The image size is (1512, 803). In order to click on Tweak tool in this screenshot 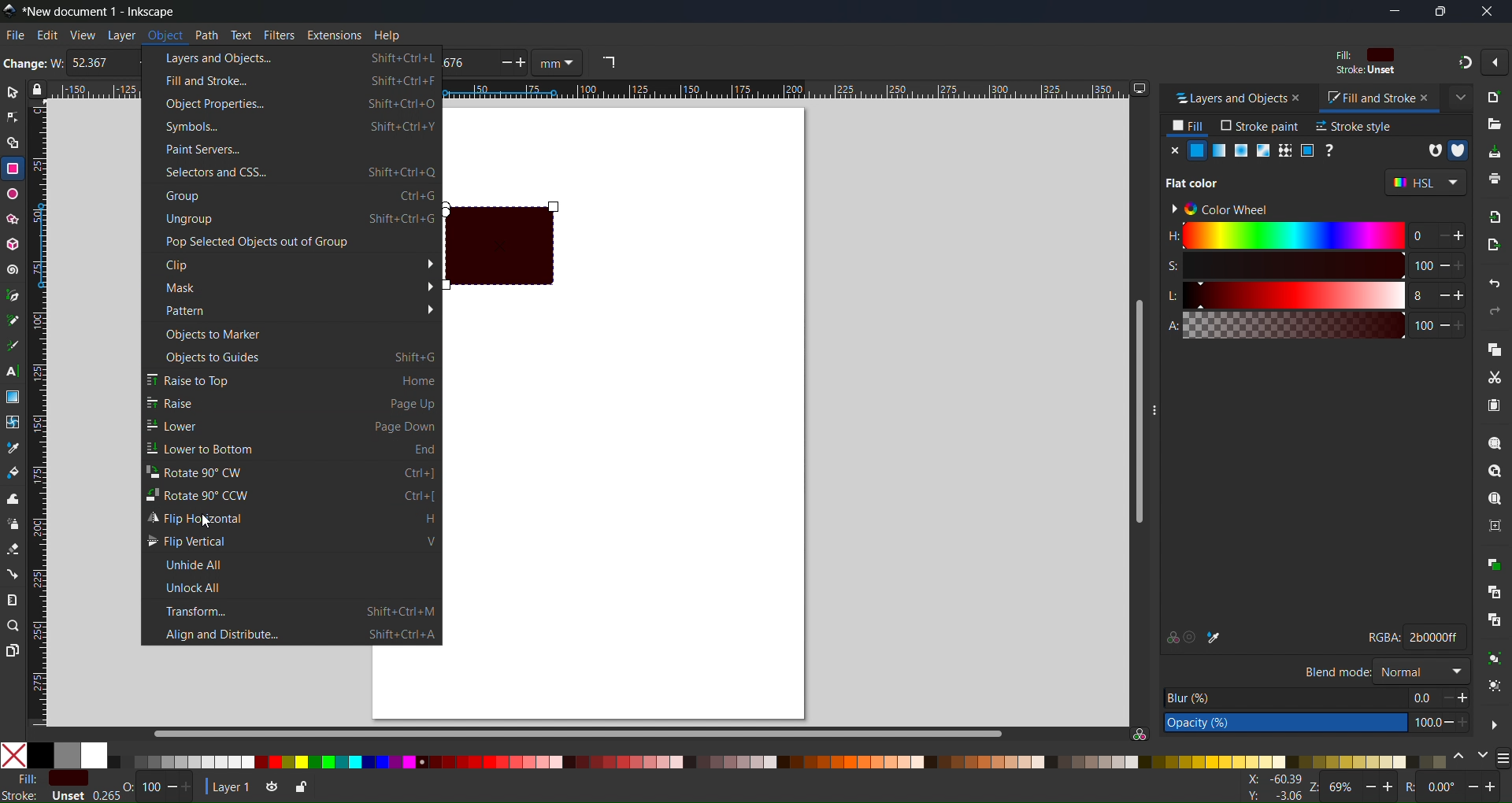, I will do `click(13, 498)`.